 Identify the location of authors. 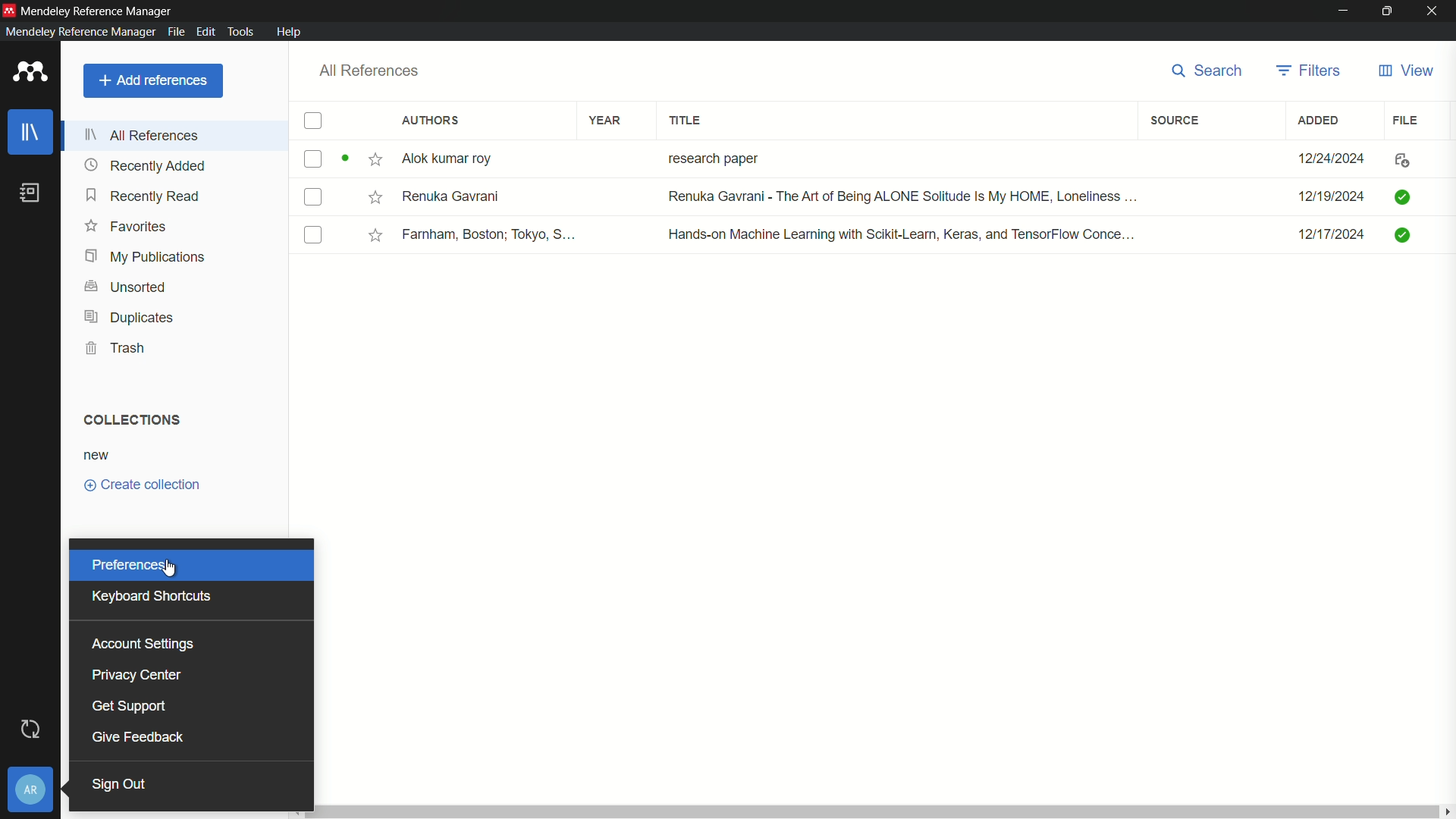
(431, 120).